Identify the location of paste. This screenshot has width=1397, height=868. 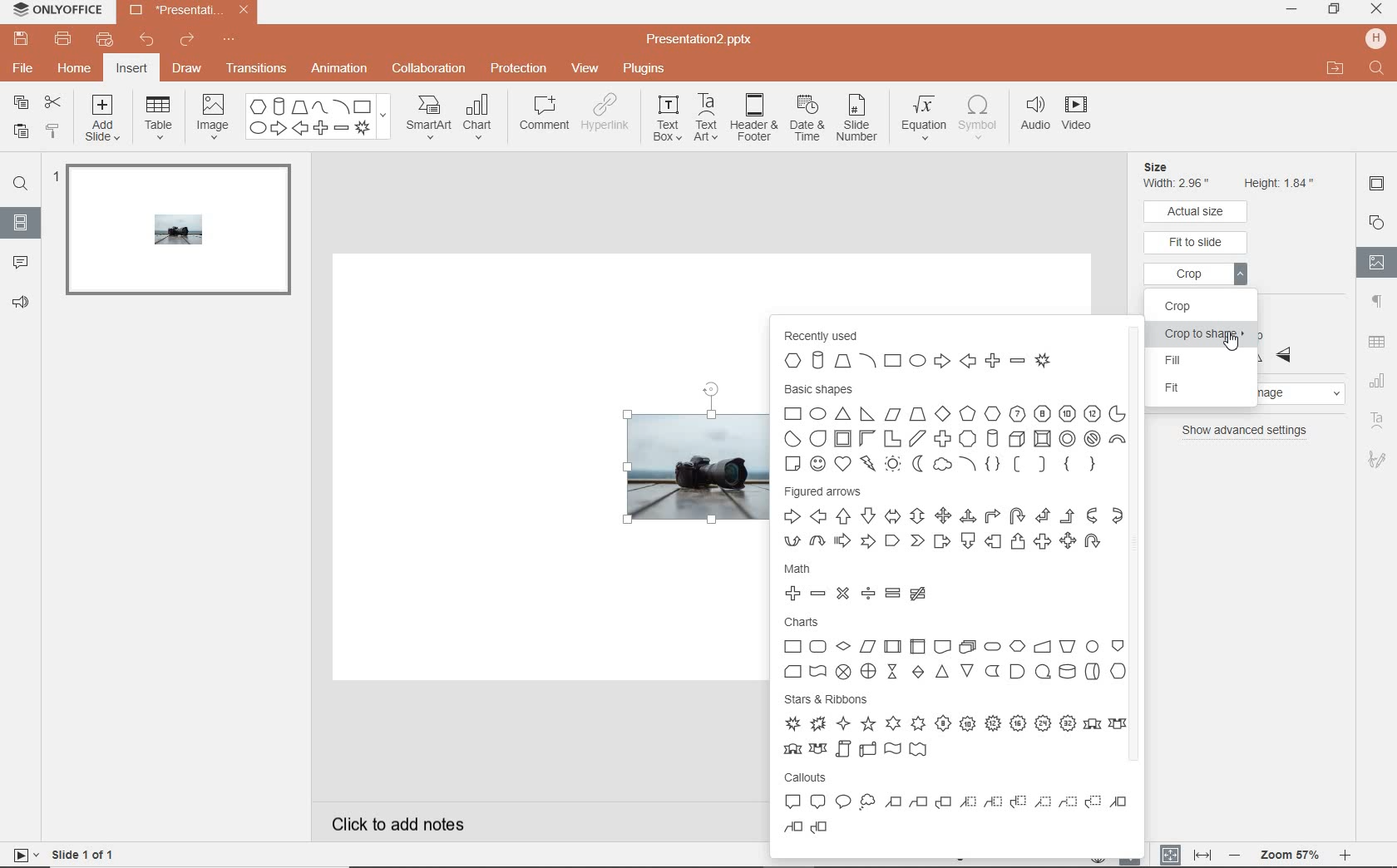
(18, 131).